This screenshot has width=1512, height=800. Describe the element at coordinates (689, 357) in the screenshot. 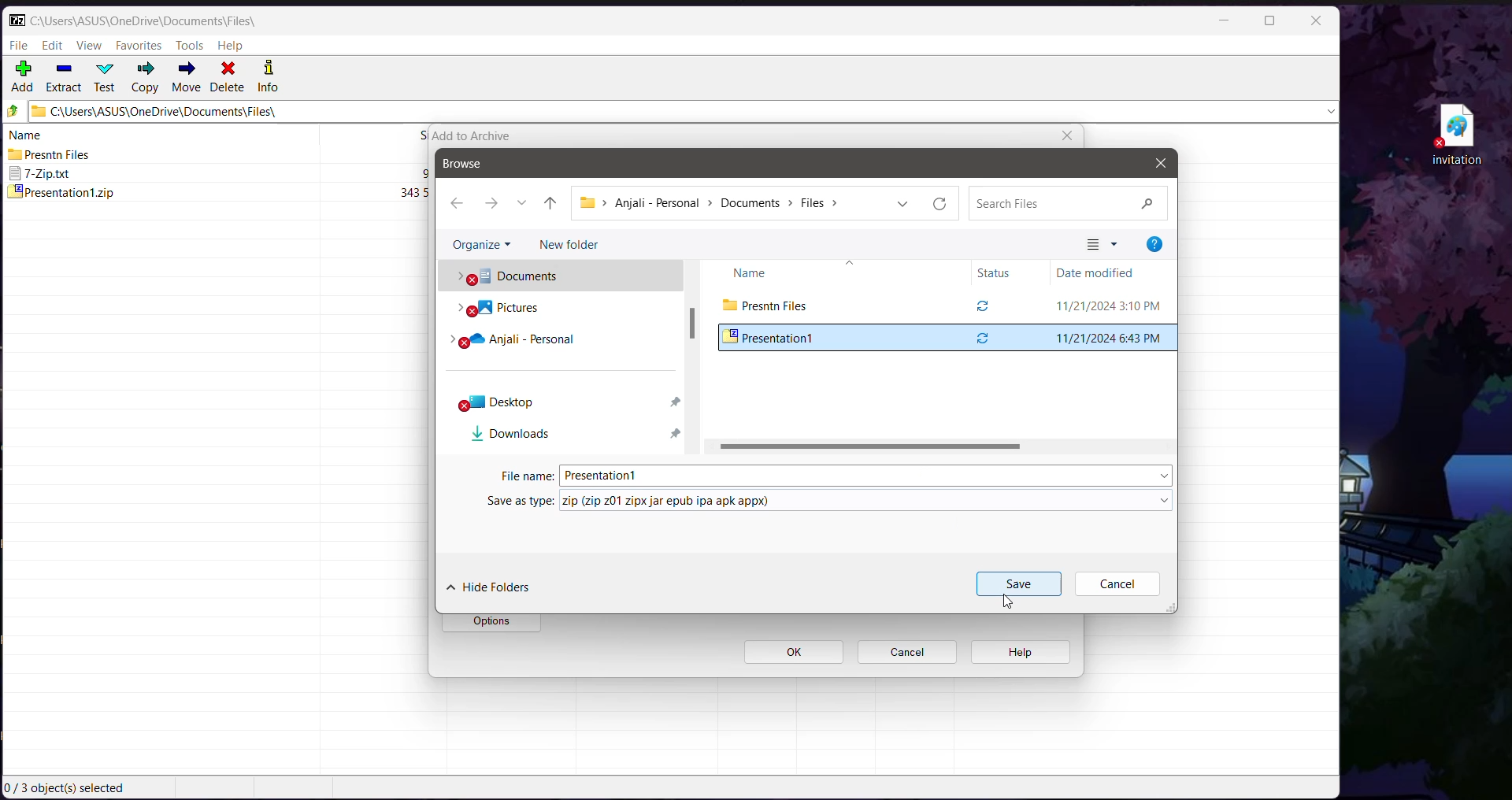

I see `Vertical Scroll Bar` at that location.